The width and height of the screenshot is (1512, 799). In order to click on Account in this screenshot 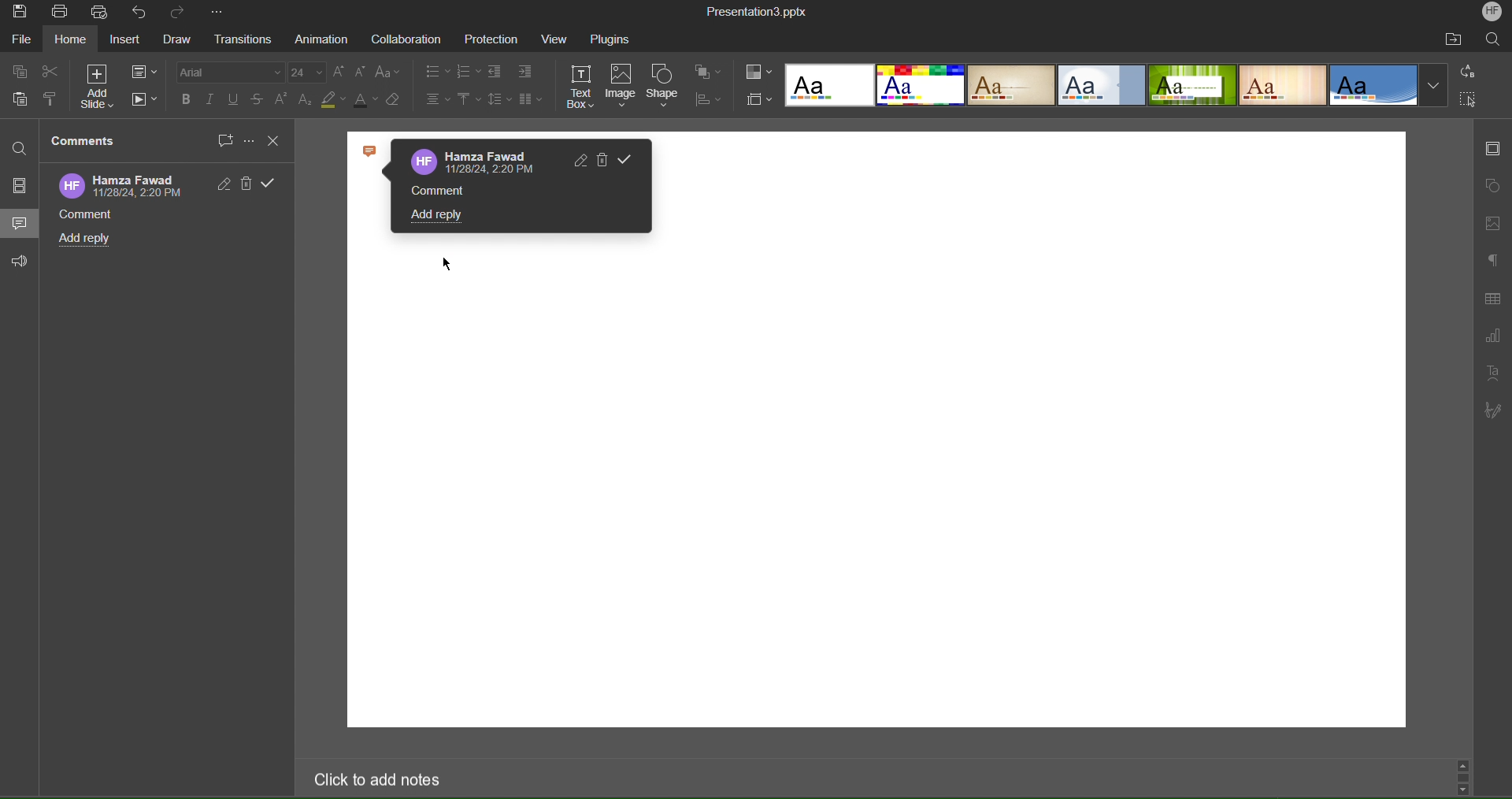, I will do `click(138, 177)`.